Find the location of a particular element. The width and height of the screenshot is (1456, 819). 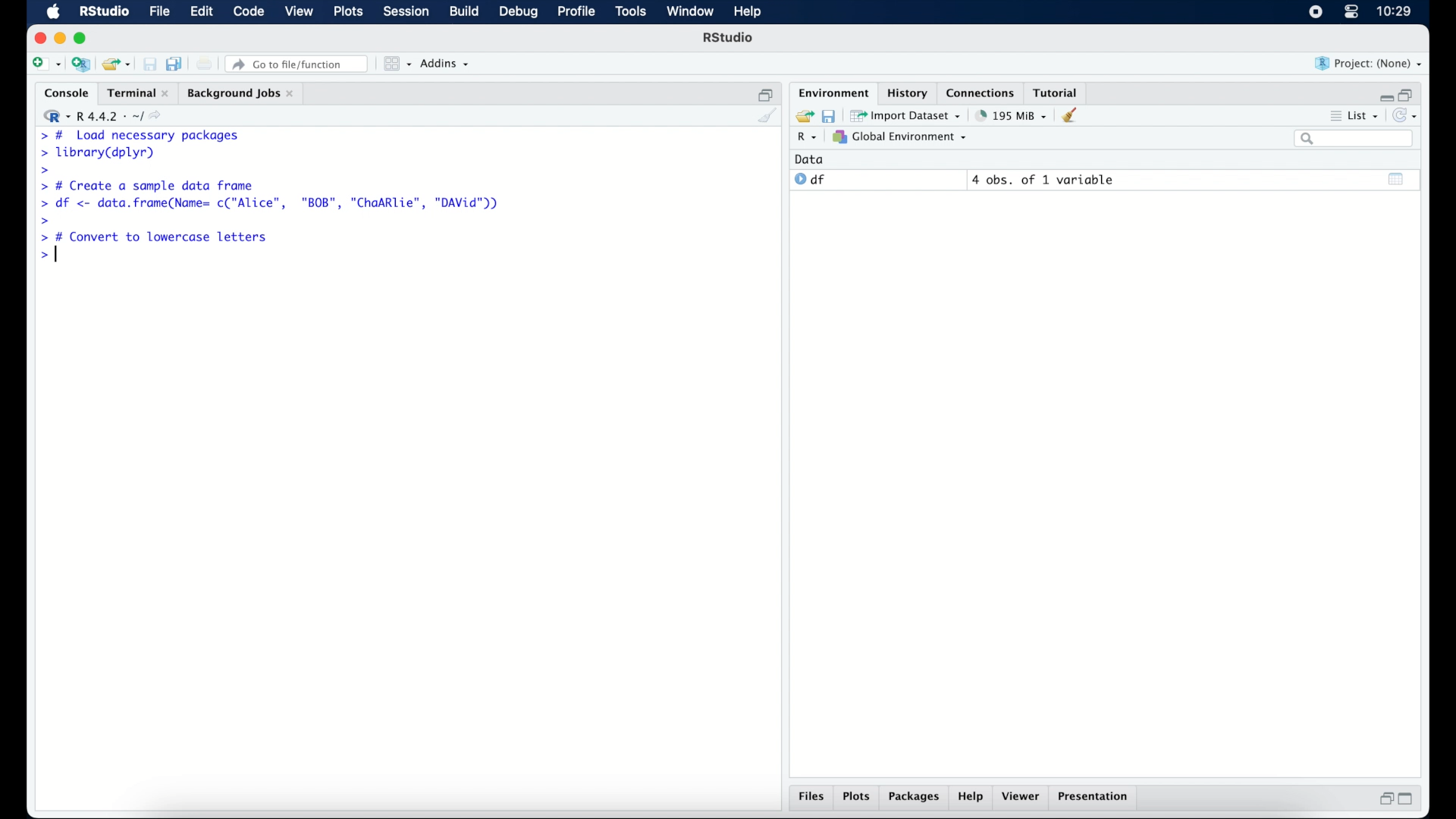

view is located at coordinates (300, 13).